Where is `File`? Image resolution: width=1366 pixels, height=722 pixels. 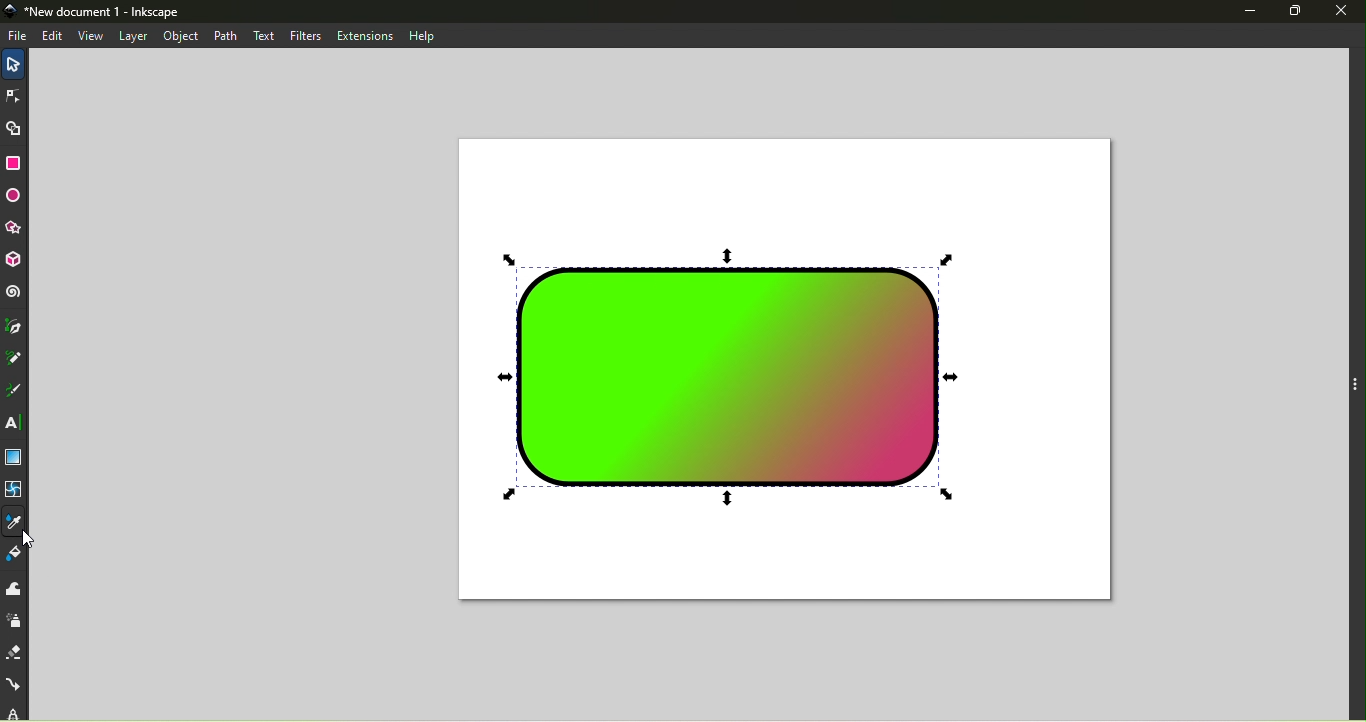
File is located at coordinates (19, 36).